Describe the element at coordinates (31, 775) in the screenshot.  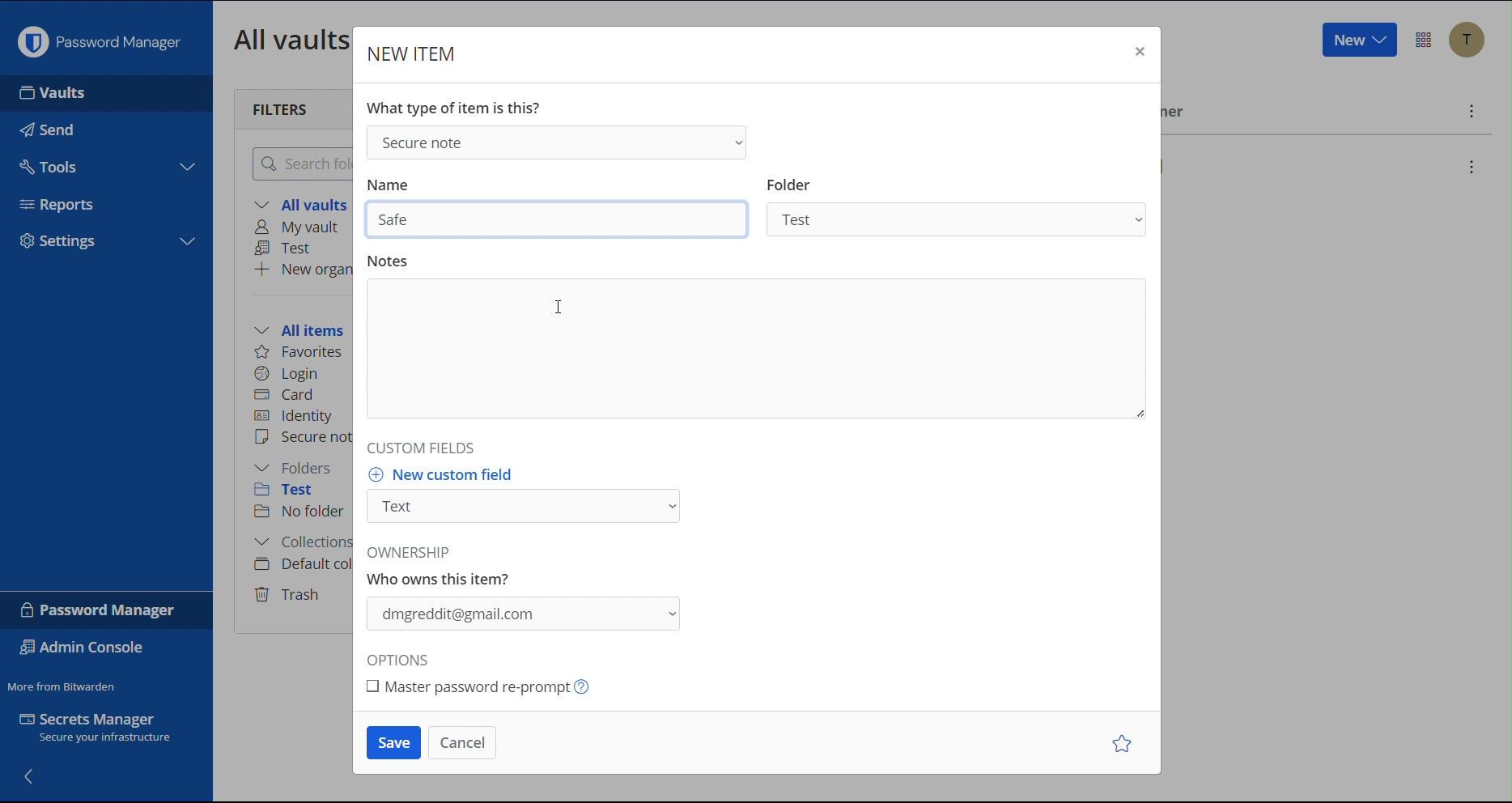
I see `Back` at that location.